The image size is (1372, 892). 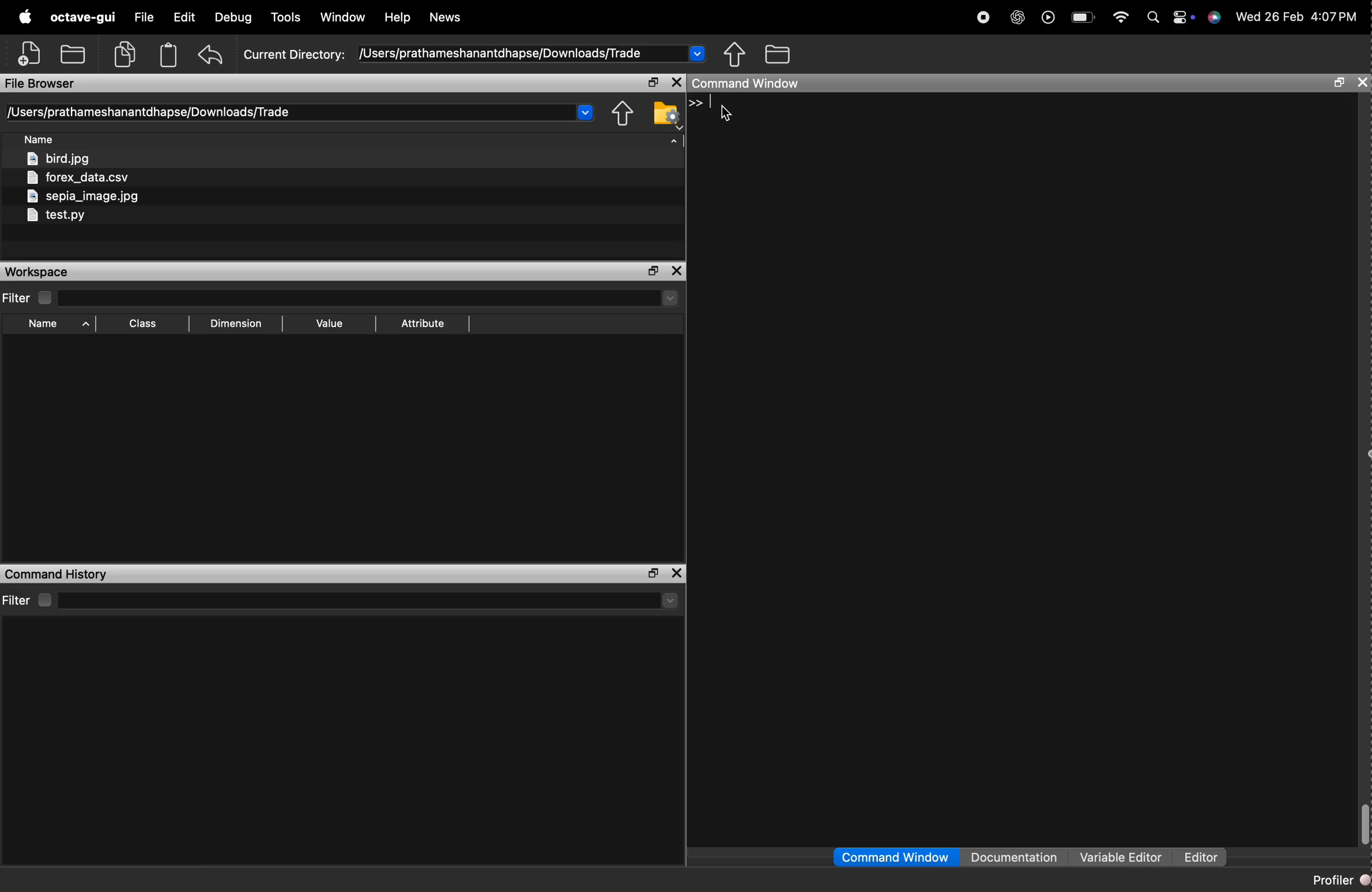 I want to click on copy, so click(x=124, y=55).